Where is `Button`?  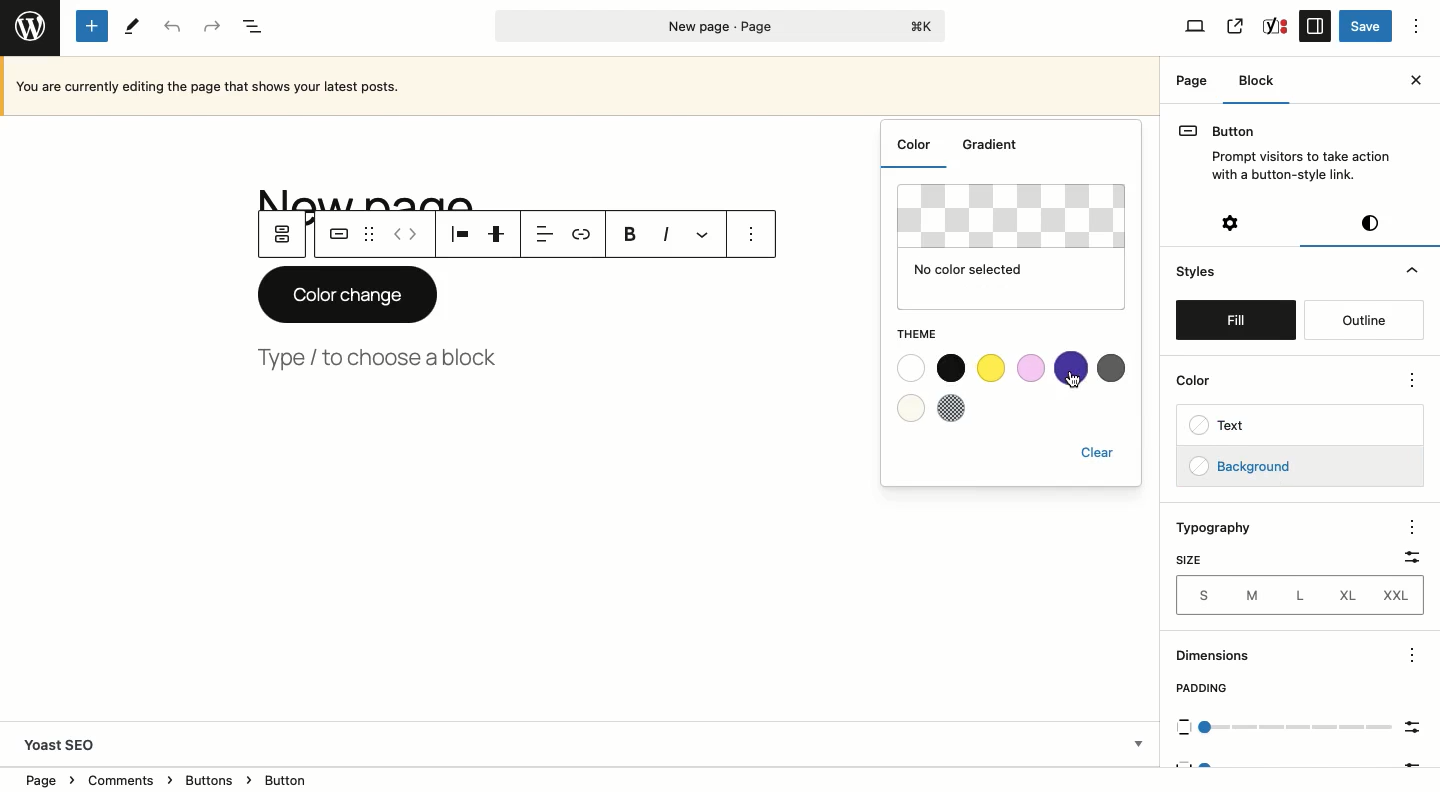
Button is located at coordinates (336, 234).